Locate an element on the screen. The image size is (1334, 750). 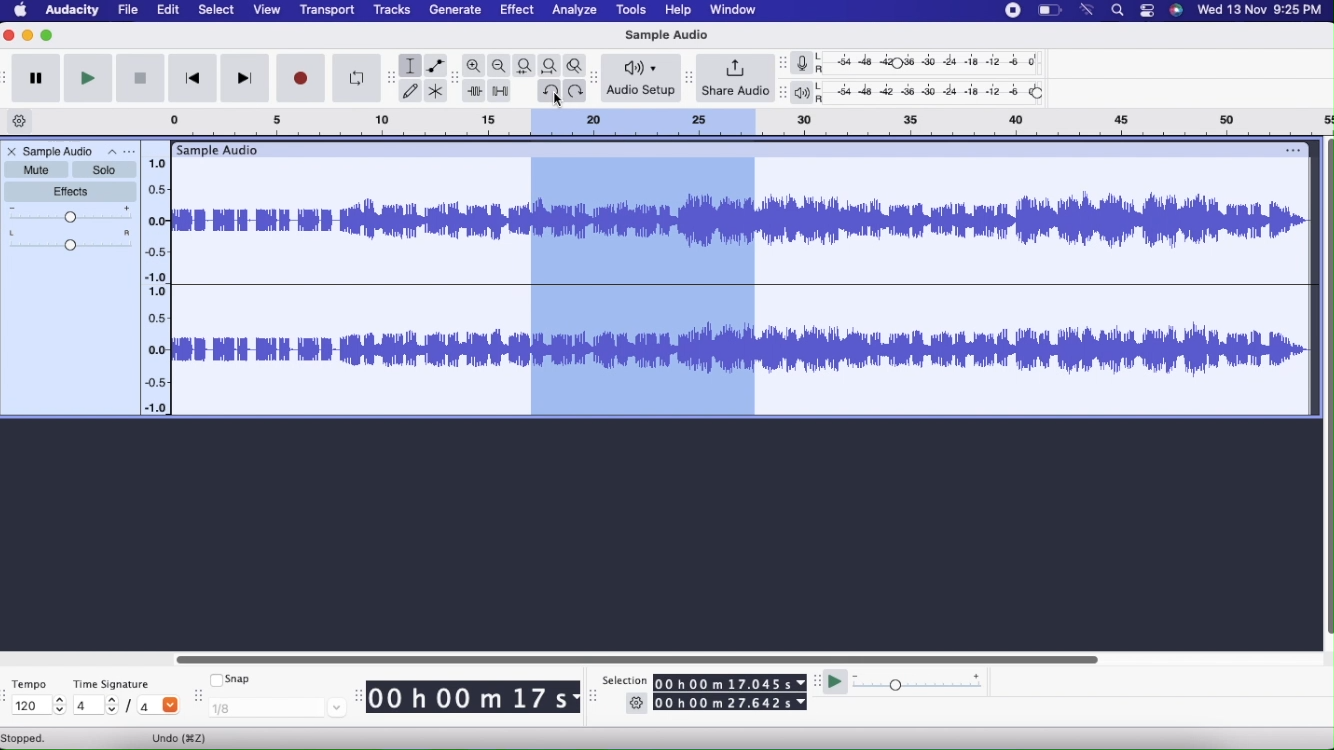
Recording level is located at coordinates (938, 62).